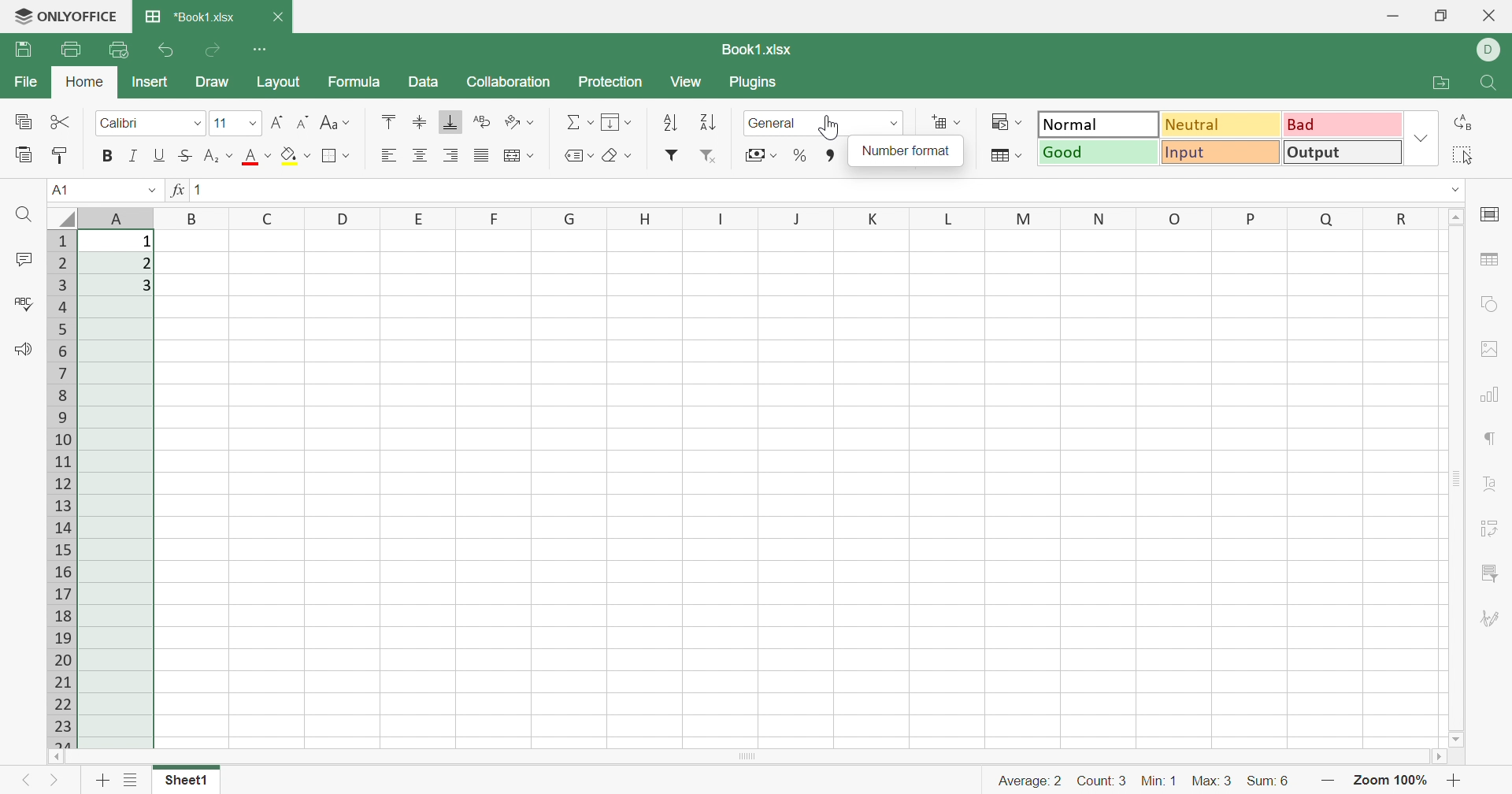  Describe the element at coordinates (149, 287) in the screenshot. I see `3` at that location.